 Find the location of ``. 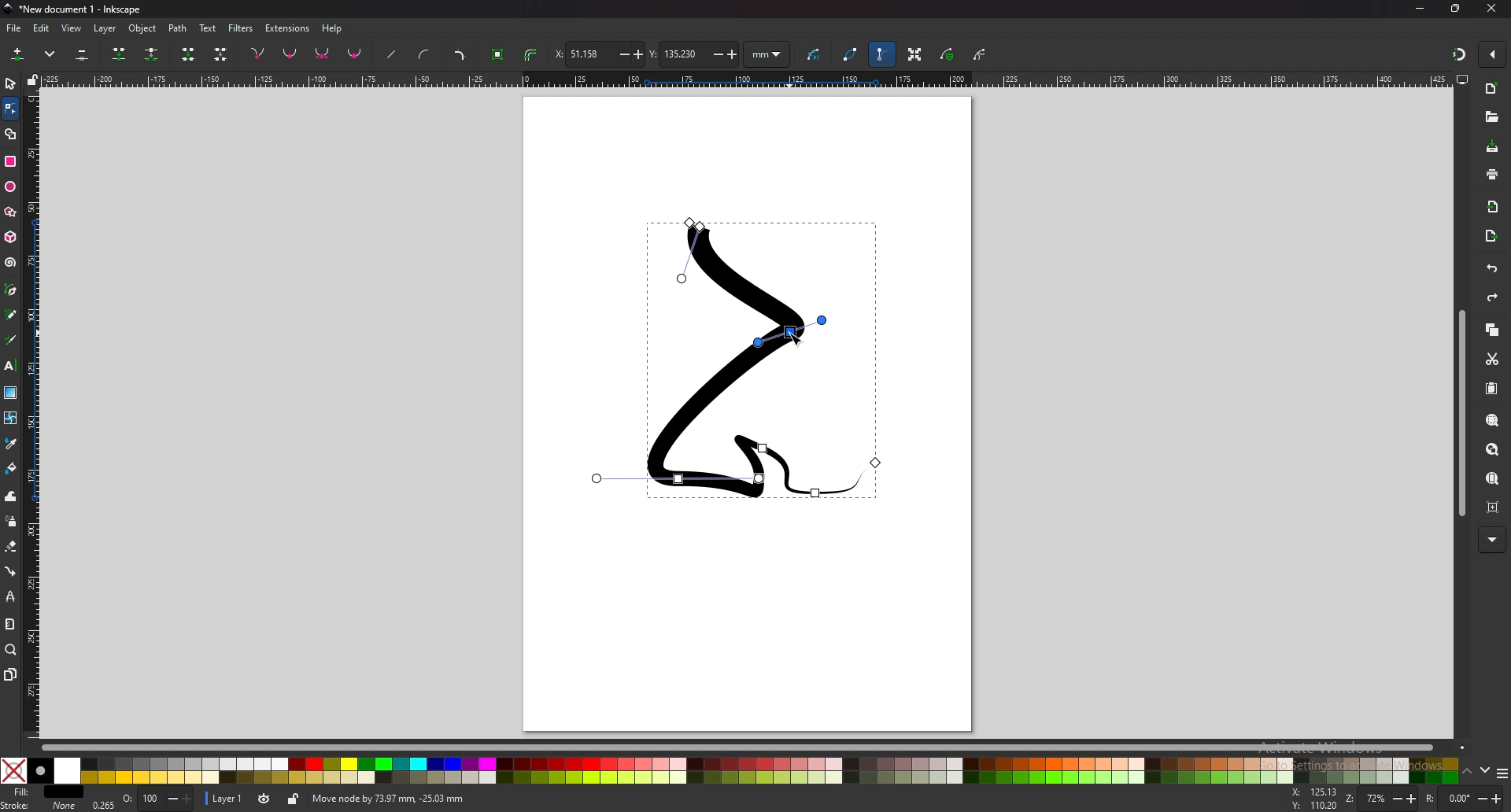

 is located at coordinates (1493, 540).